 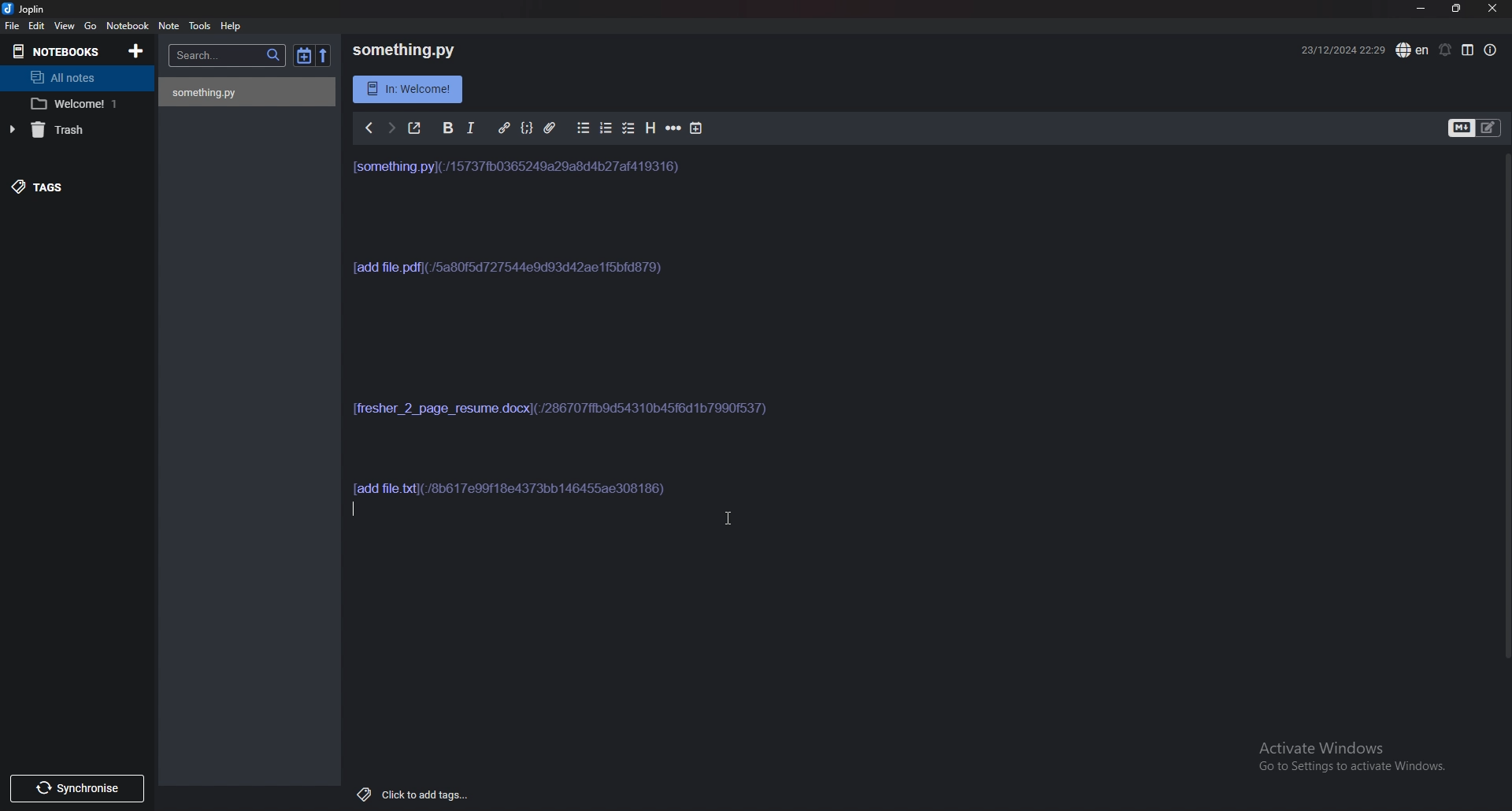 What do you see at coordinates (1475, 128) in the screenshot?
I see `toggle editor` at bounding box center [1475, 128].